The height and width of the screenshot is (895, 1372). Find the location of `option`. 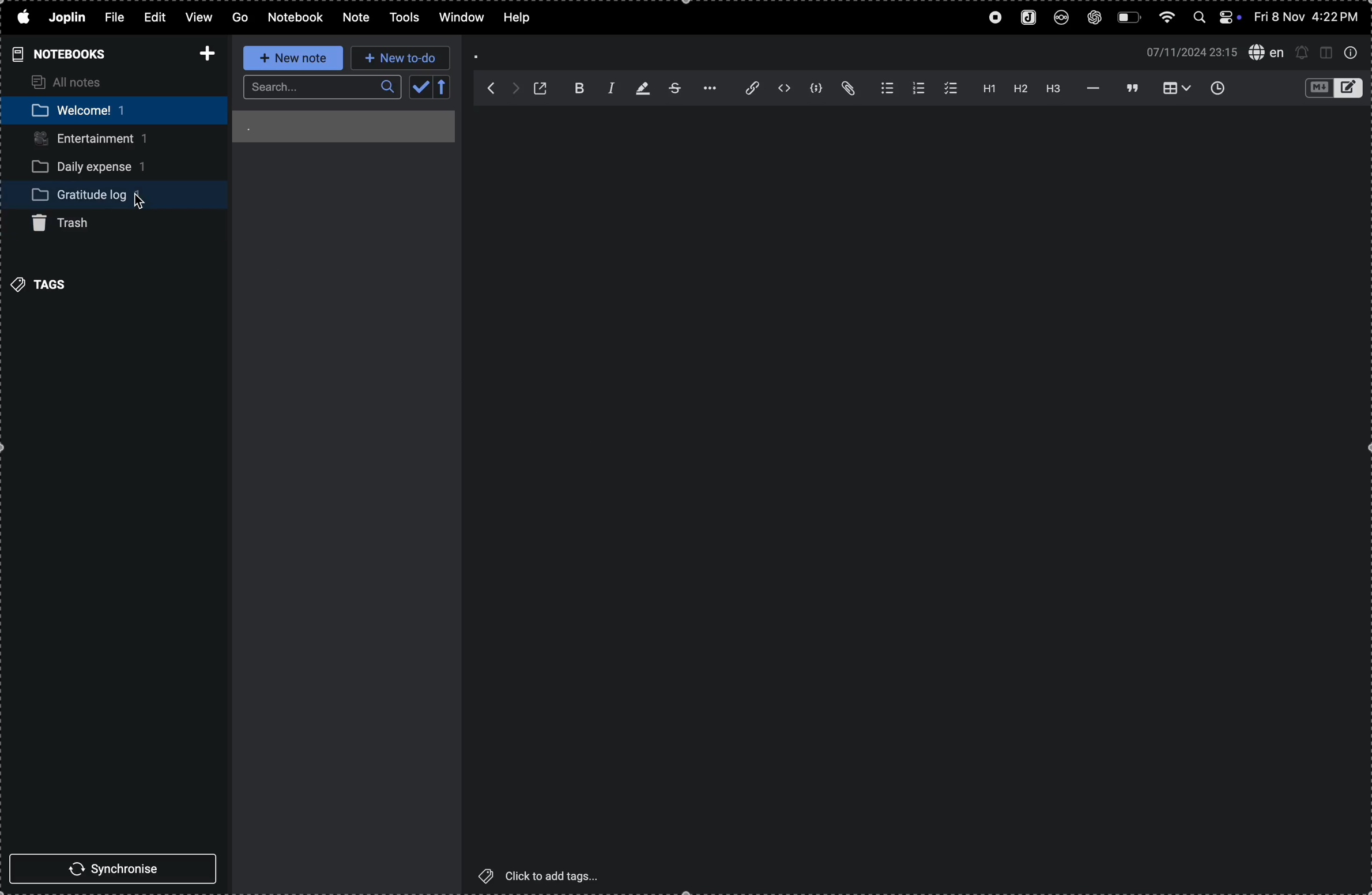

option is located at coordinates (711, 88).